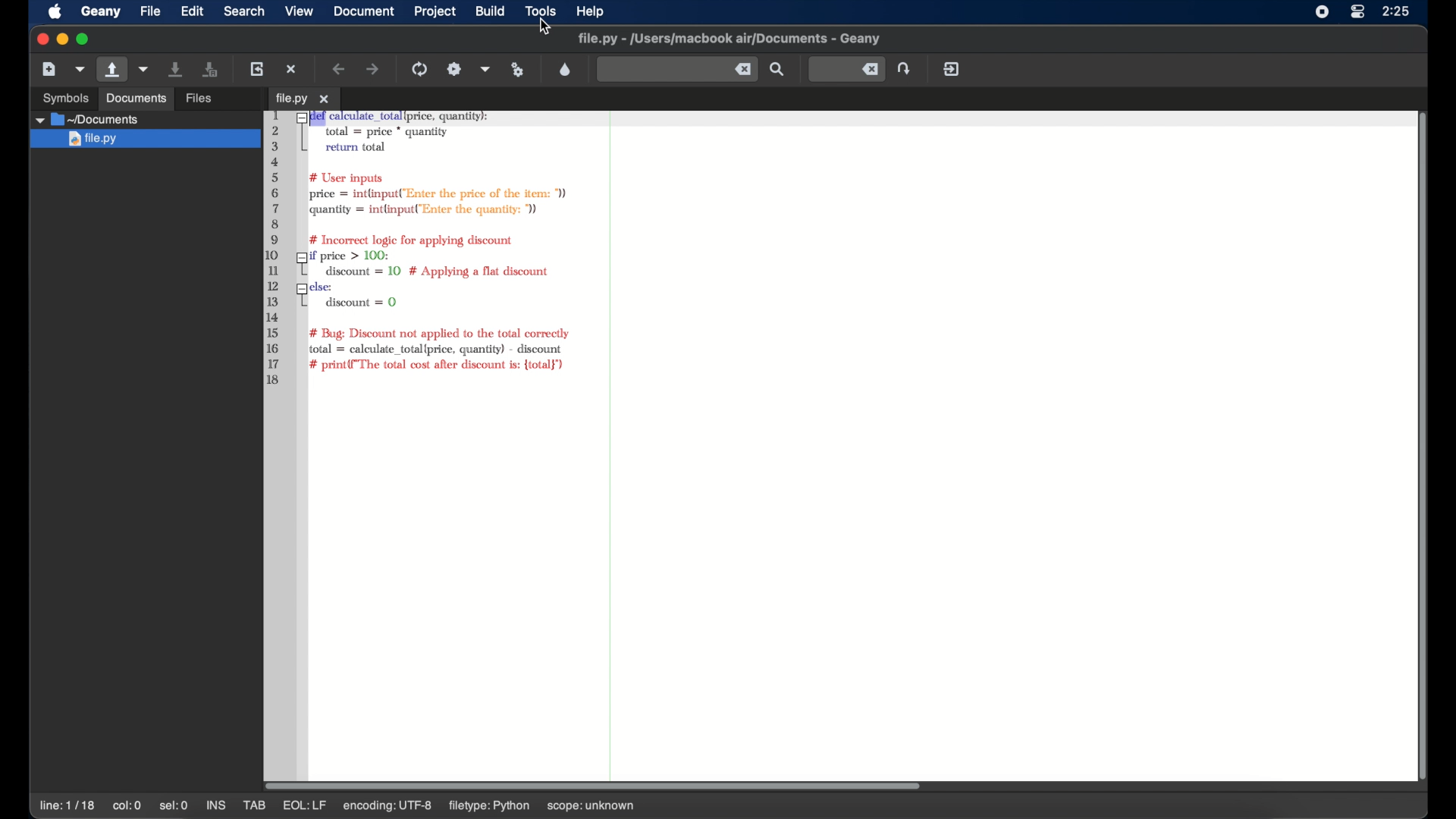 This screenshot has height=819, width=1456. Describe the element at coordinates (433, 805) in the screenshot. I see `encoding: utf-8` at that location.